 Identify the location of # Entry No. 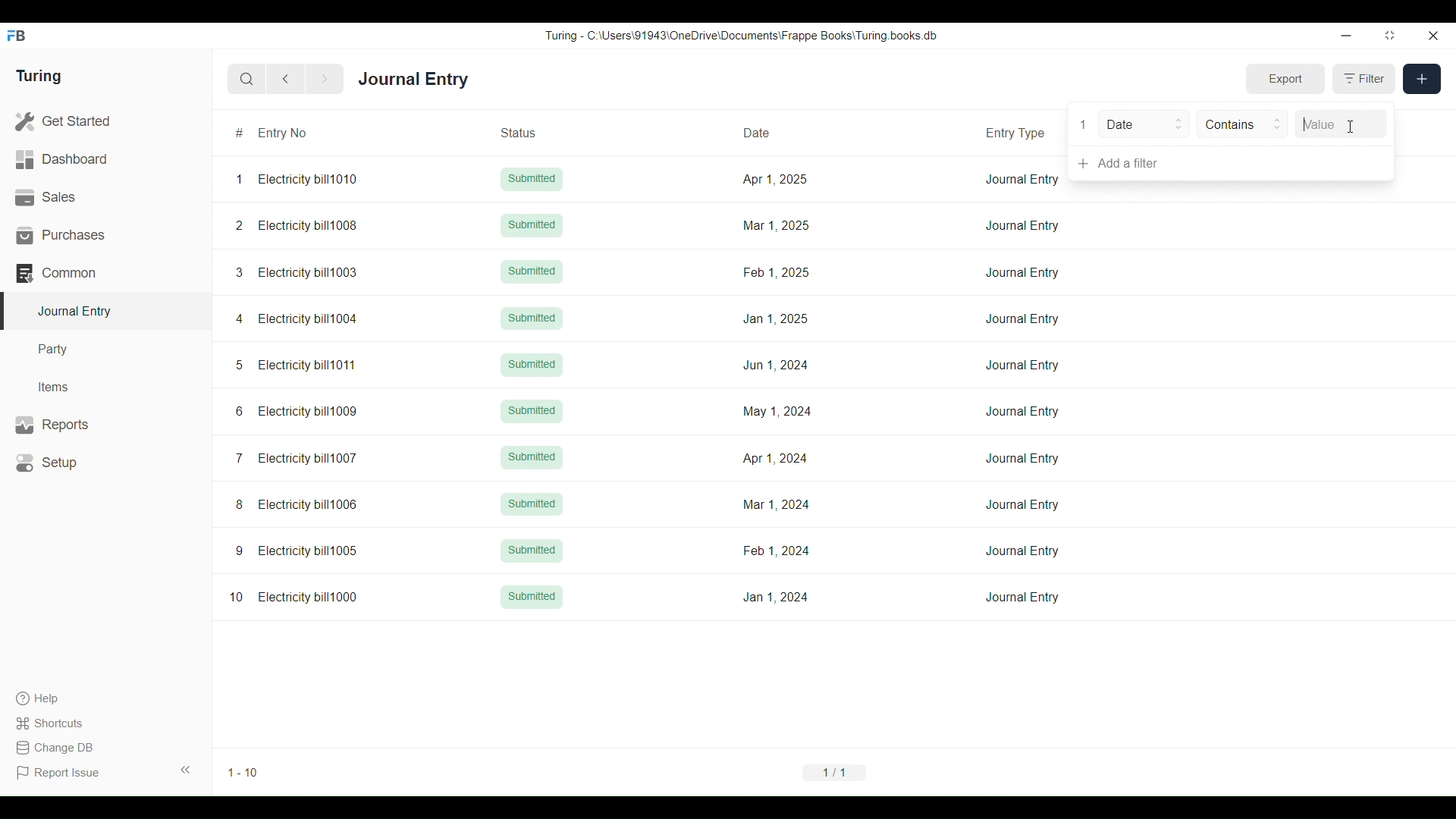
(303, 133).